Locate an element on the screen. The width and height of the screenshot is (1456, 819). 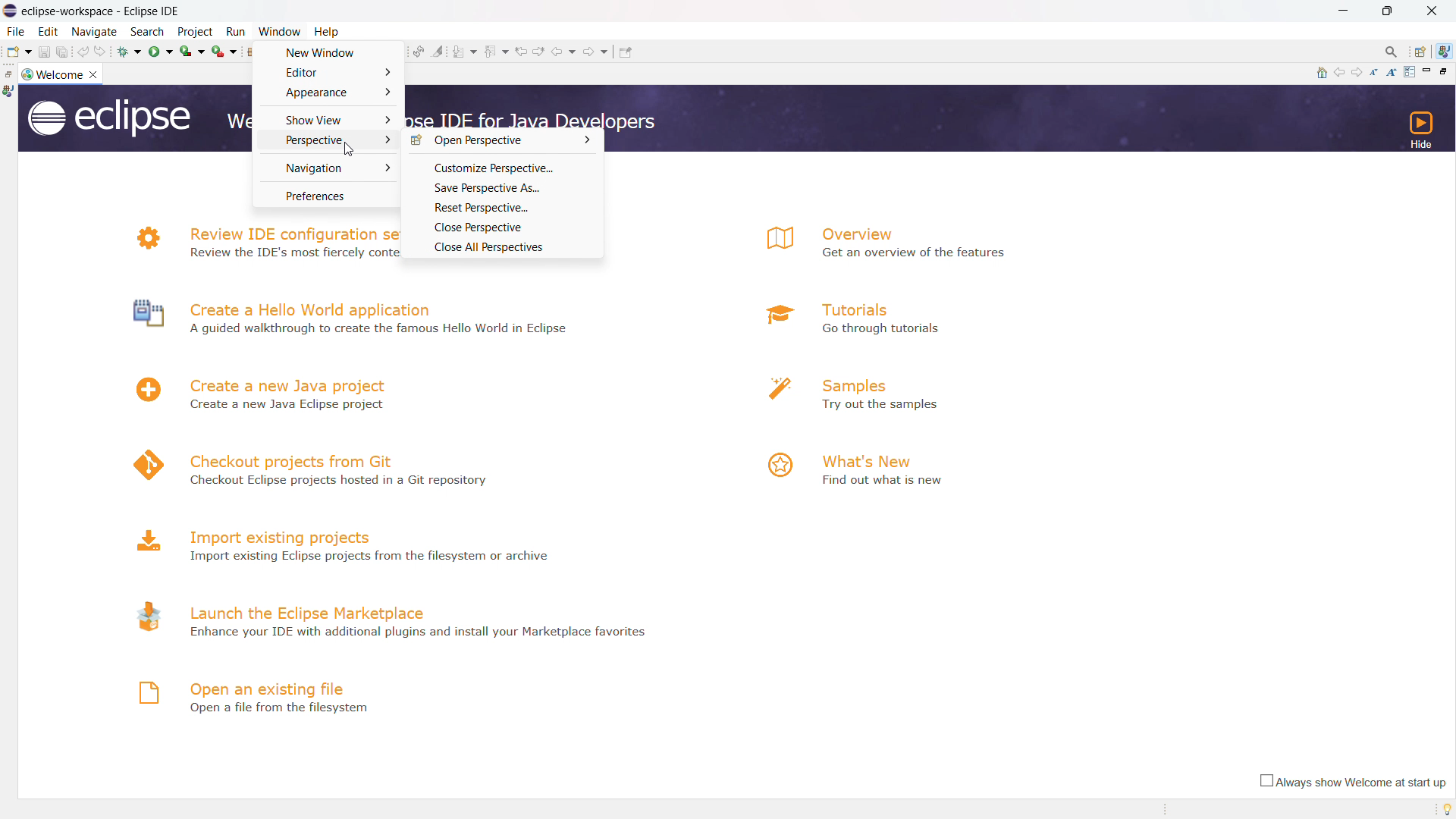
pin editor is located at coordinates (626, 52).